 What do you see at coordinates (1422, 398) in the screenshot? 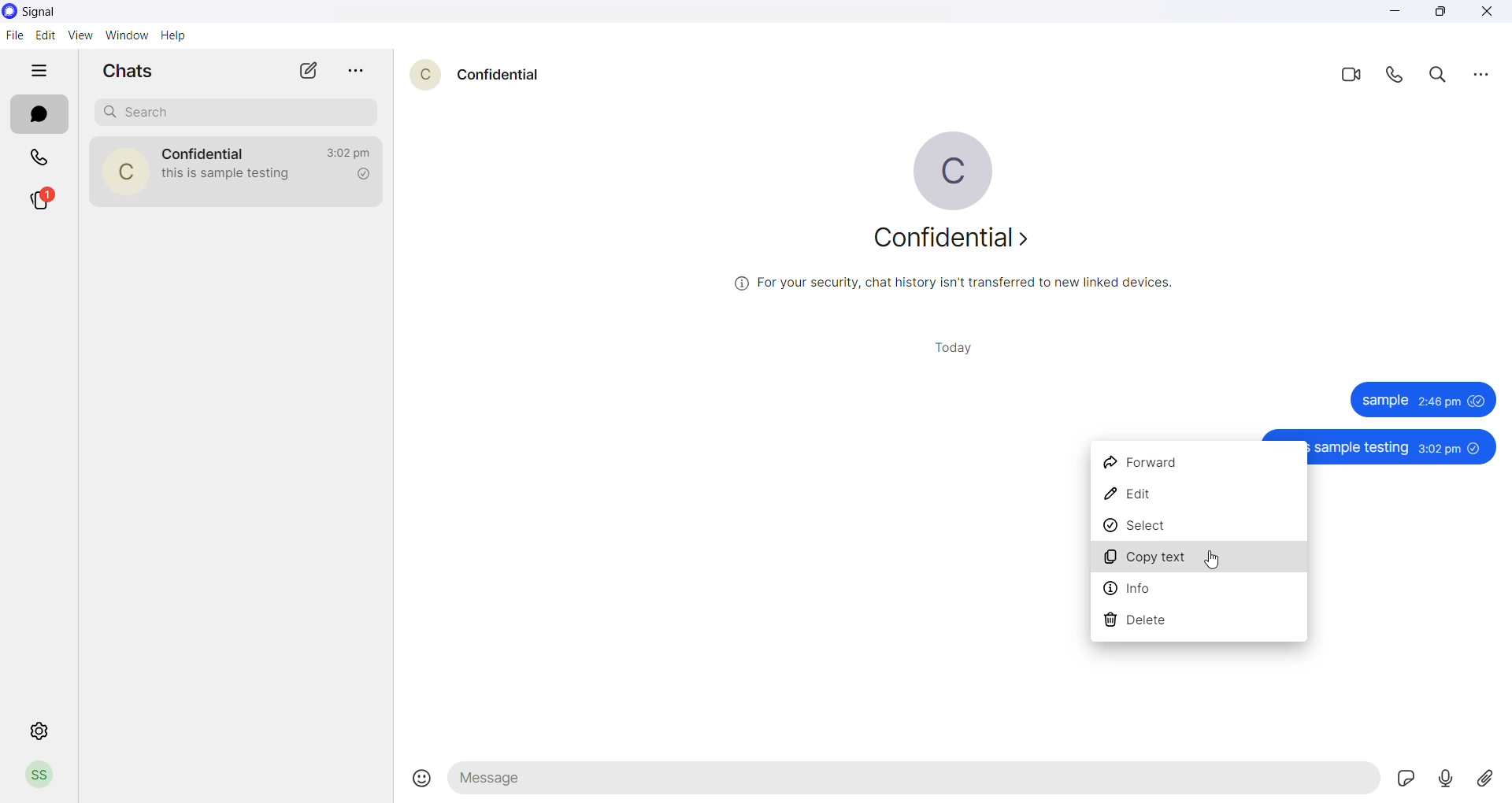
I see `` at bounding box center [1422, 398].